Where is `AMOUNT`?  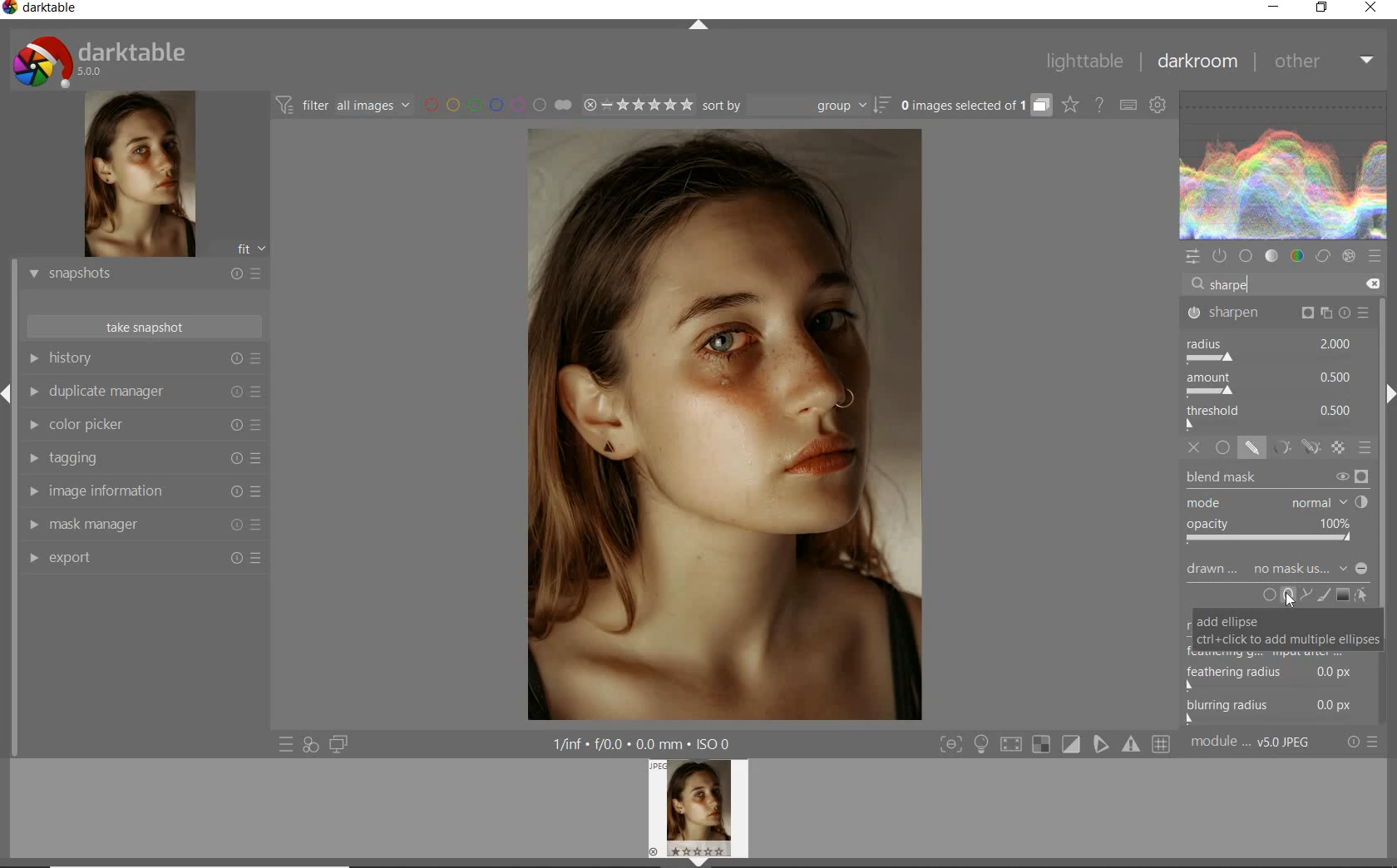
AMOUNT is located at coordinates (1270, 386).